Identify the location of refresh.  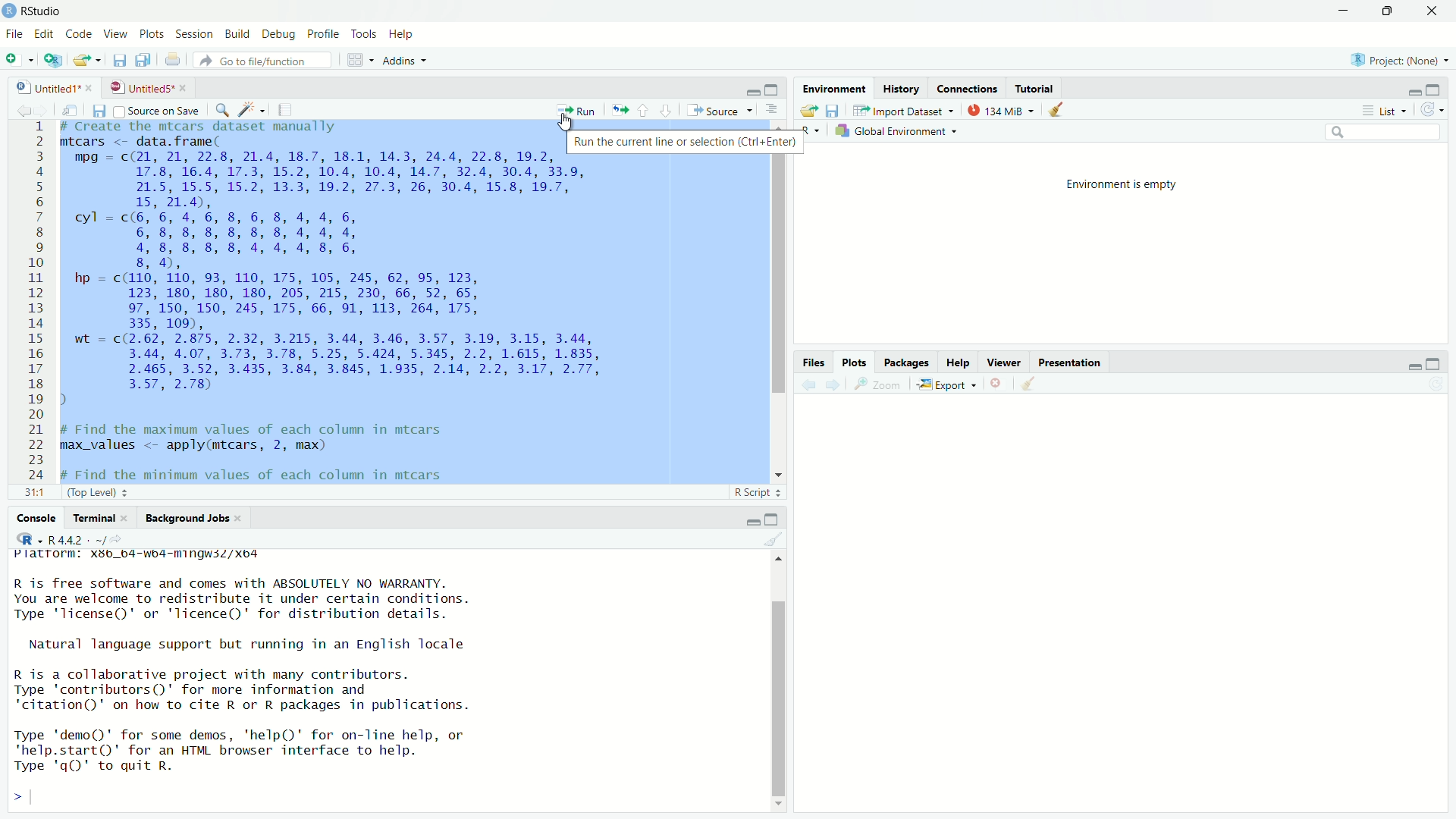
(1432, 111).